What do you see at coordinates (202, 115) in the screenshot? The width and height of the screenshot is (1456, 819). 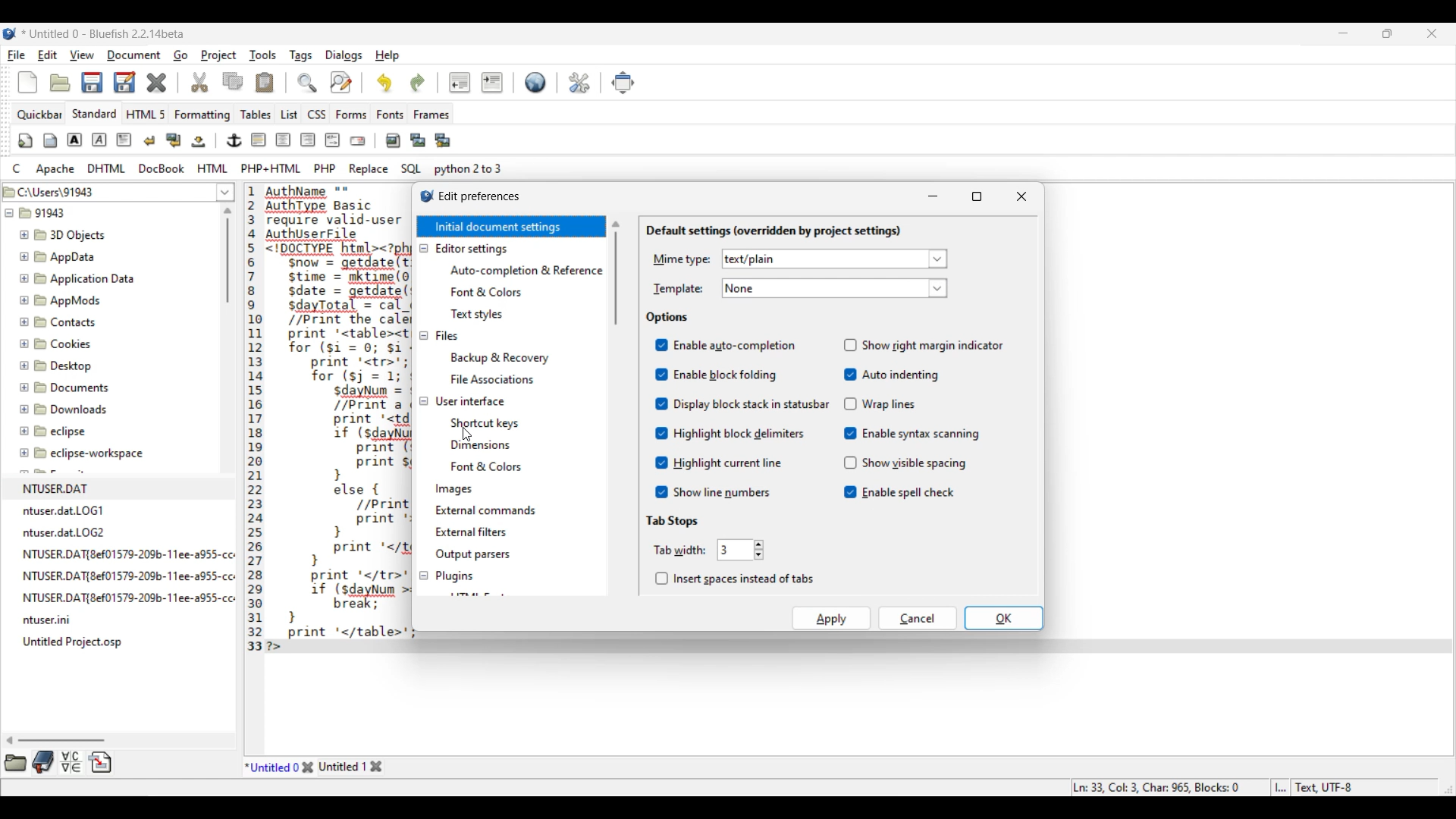 I see `Formatting menu` at bounding box center [202, 115].